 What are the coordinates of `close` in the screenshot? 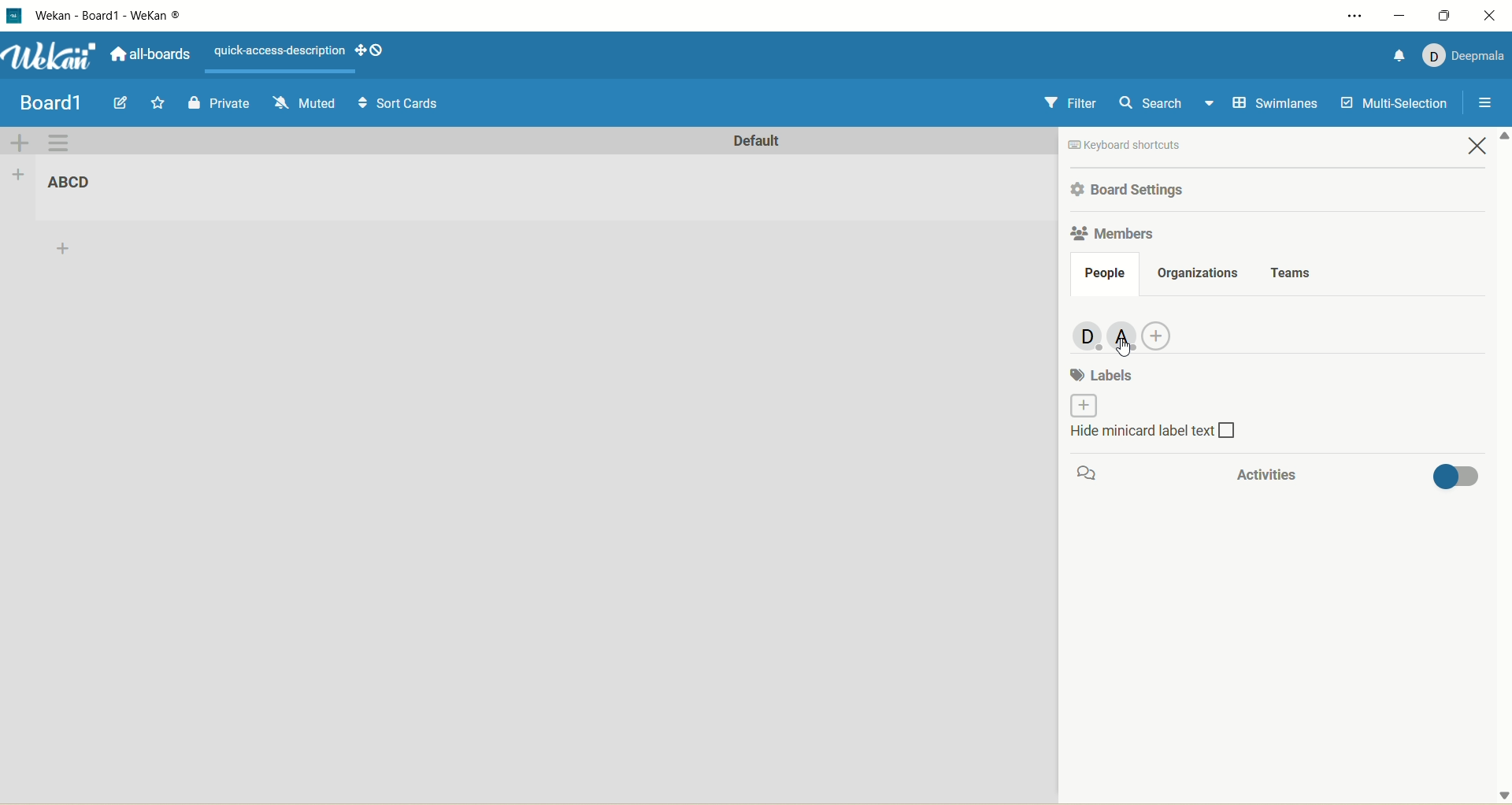 It's located at (1480, 148).